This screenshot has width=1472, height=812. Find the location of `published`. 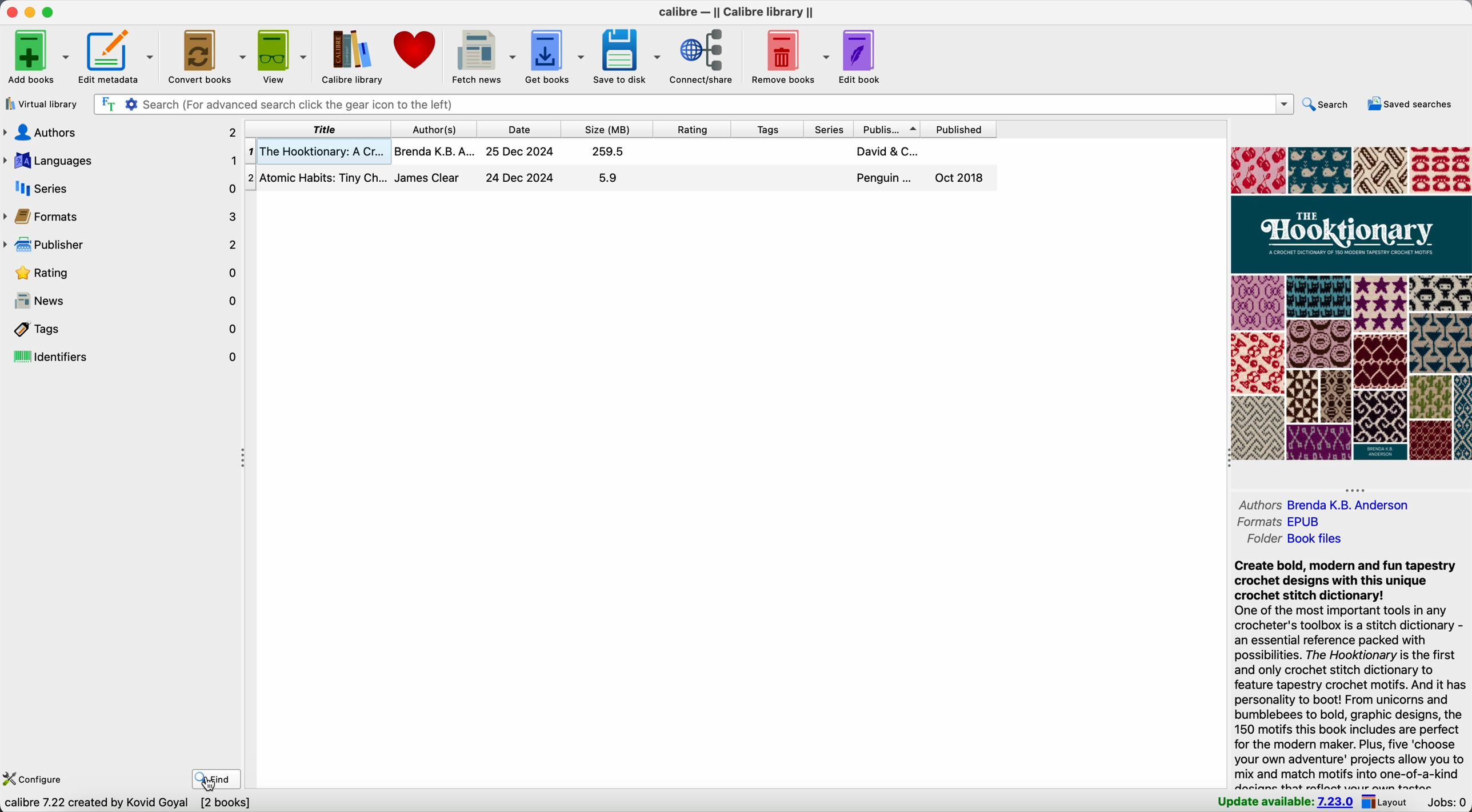

published is located at coordinates (959, 129).